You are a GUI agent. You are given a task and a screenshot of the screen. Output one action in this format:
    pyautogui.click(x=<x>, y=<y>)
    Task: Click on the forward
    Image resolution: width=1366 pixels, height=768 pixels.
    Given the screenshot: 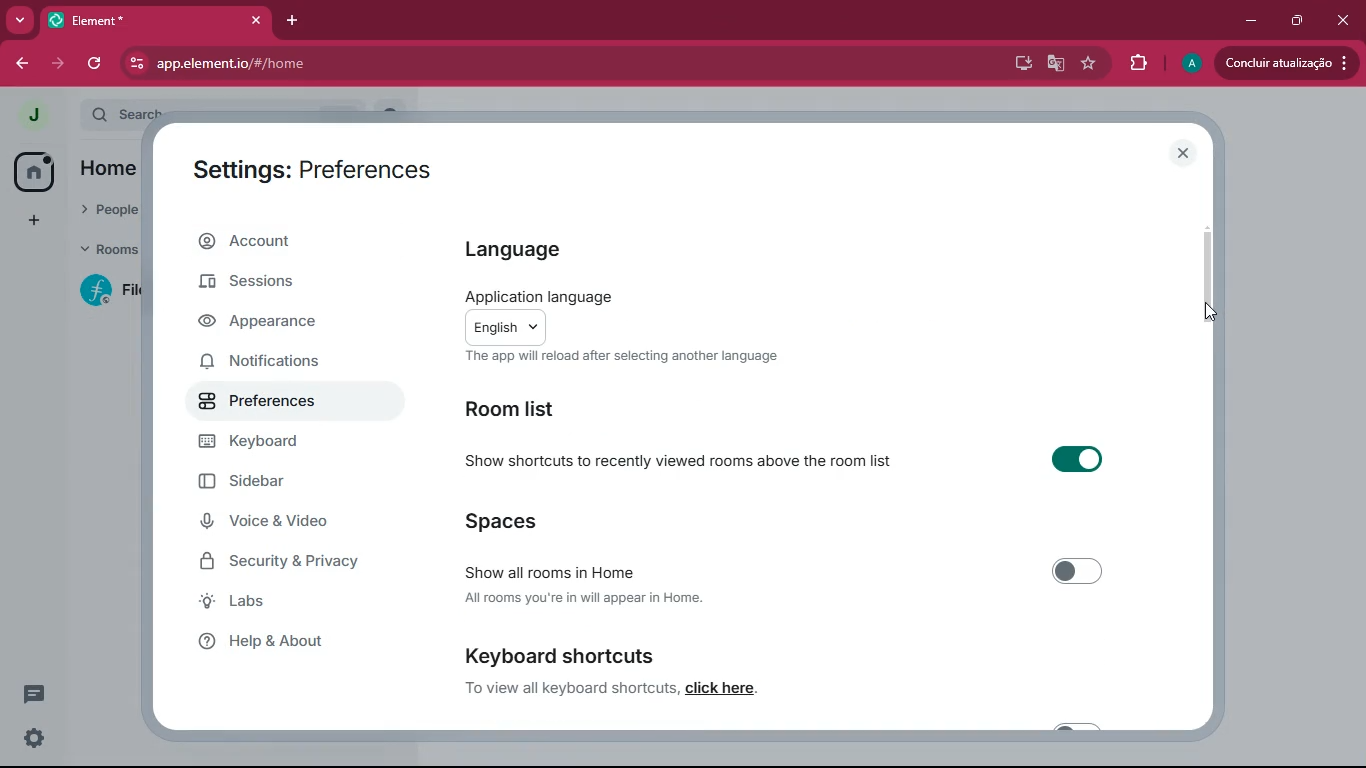 What is the action you would take?
    pyautogui.click(x=60, y=63)
    